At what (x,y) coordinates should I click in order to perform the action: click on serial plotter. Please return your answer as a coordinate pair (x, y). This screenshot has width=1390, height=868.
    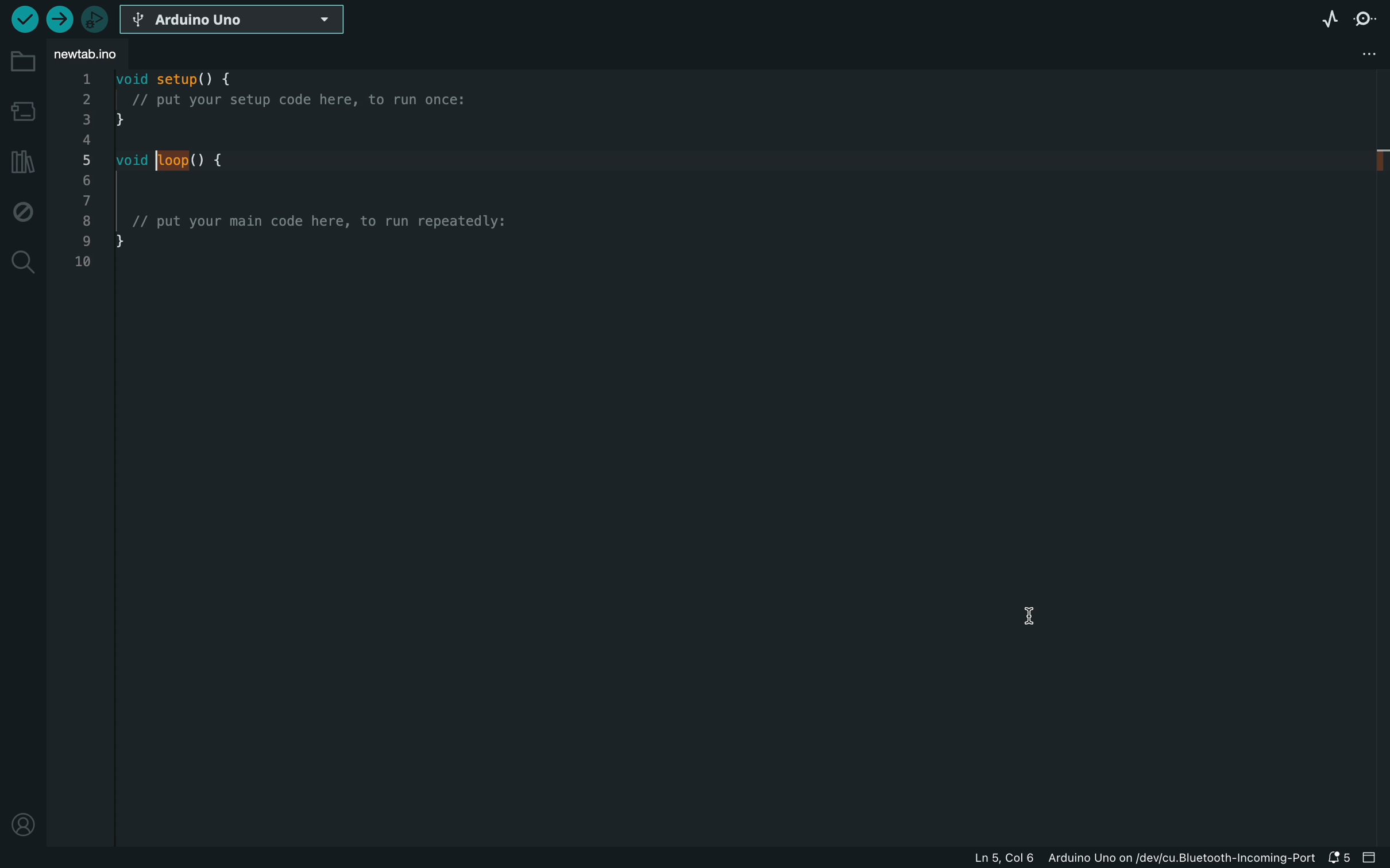
    Looking at the image, I should click on (1326, 17).